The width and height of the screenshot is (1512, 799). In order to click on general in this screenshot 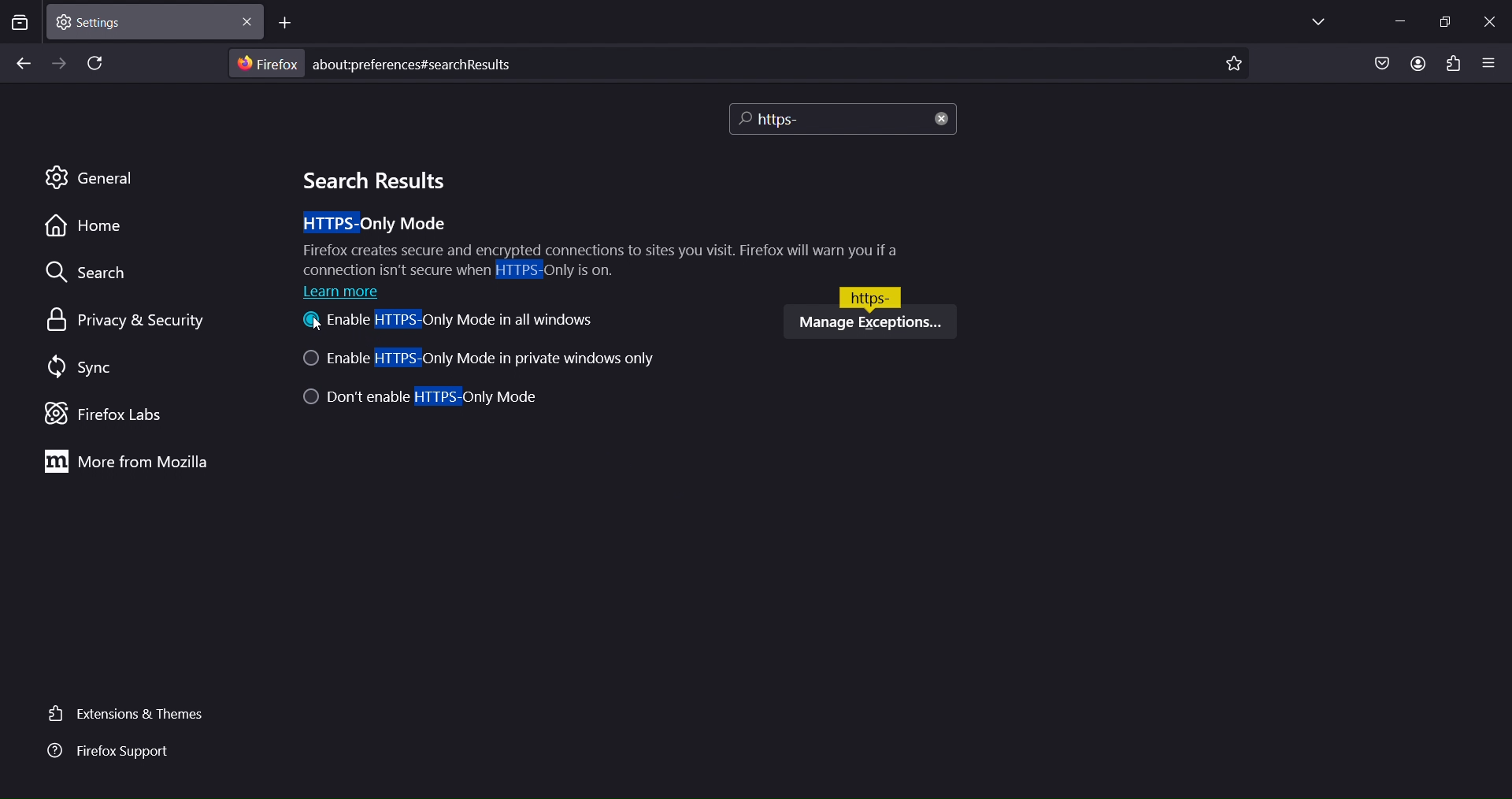, I will do `click(92, 179)`.